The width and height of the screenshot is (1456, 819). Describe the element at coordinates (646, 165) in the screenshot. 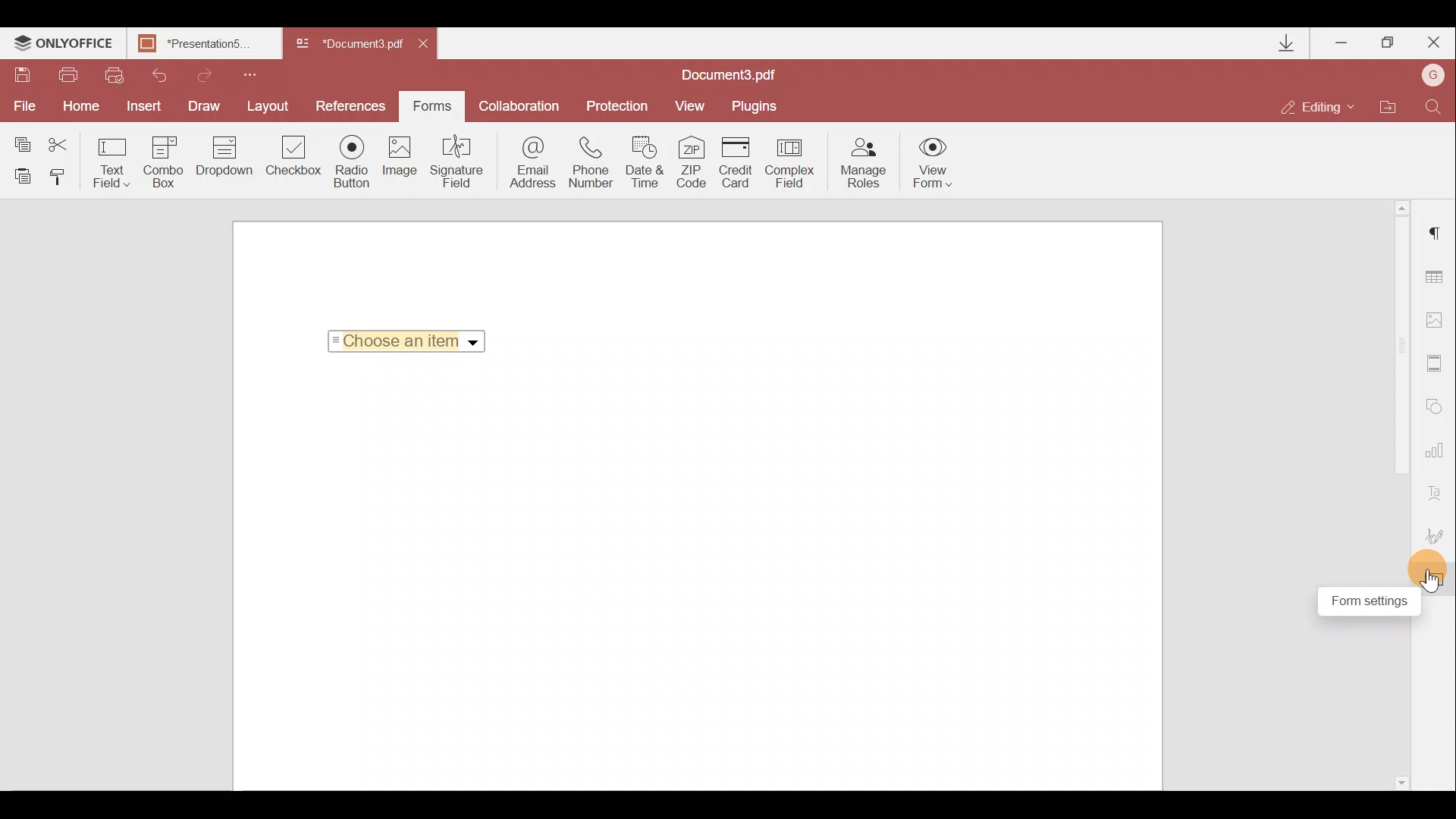

I see `Date & time` at that location.